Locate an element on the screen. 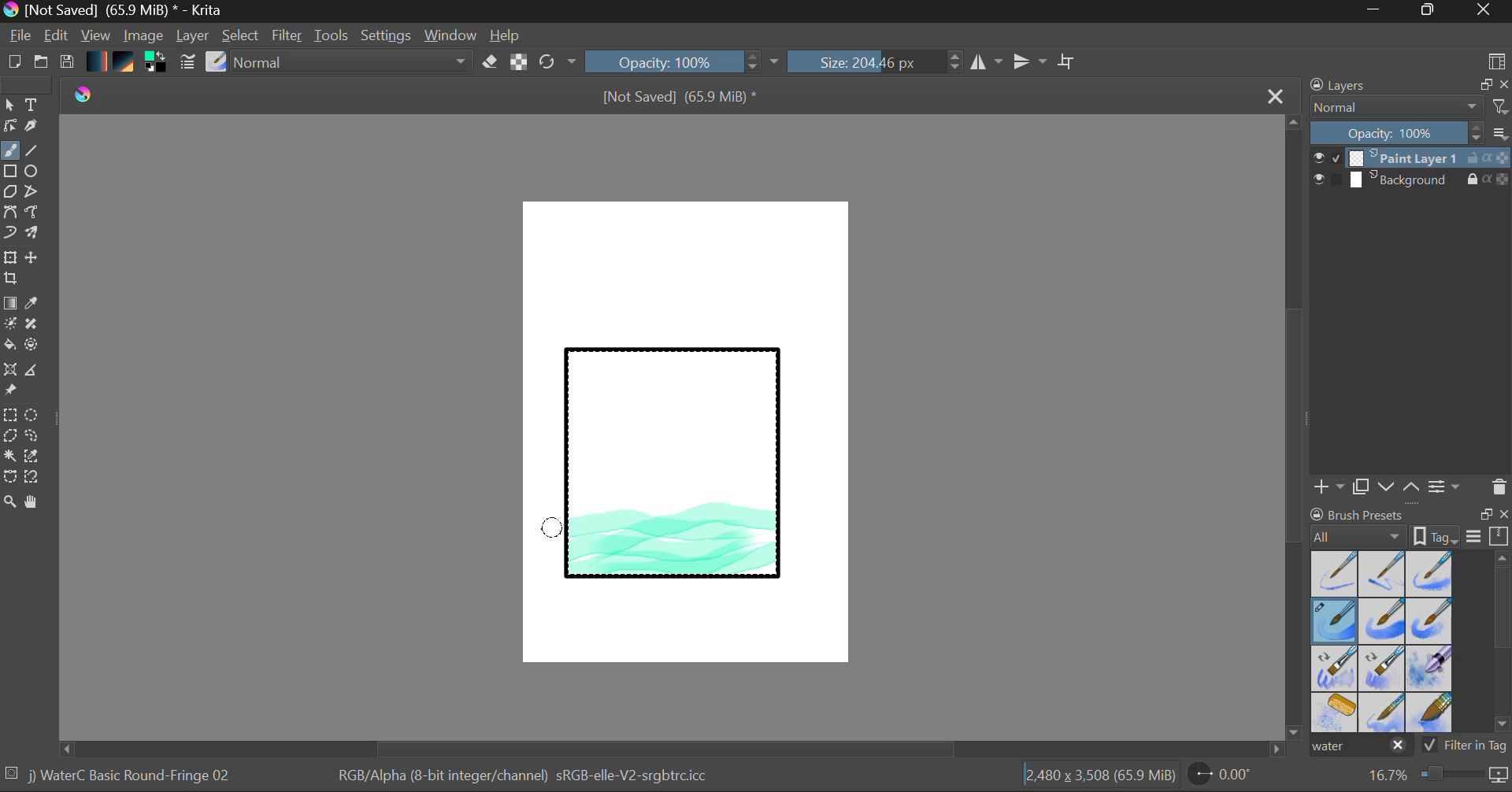 This screenshot has height=792, width=1512. Dynamic Brush is located at coordinates (9, 233).